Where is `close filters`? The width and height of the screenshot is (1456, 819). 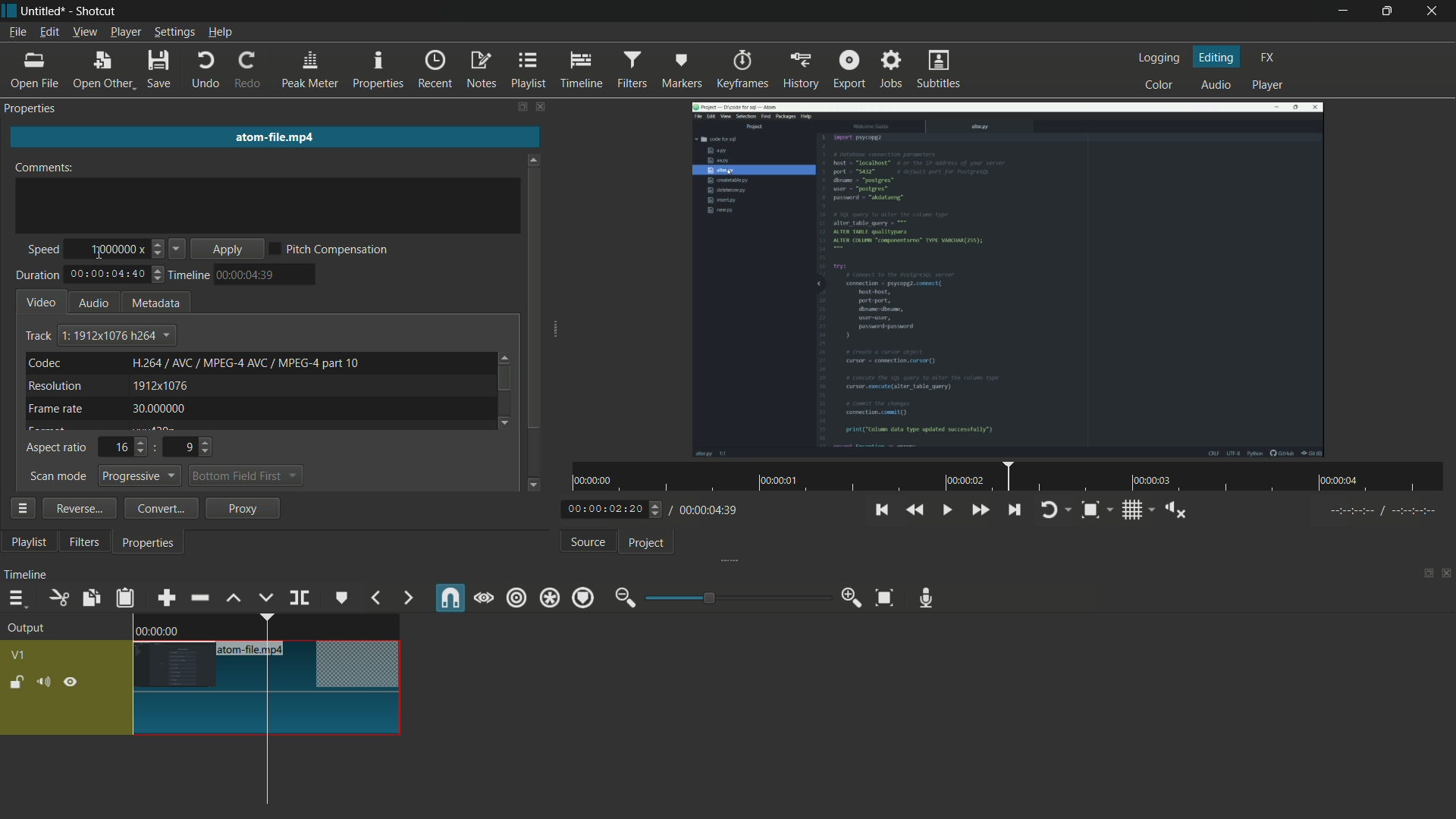
close filters is located at coordinates (543, 108).